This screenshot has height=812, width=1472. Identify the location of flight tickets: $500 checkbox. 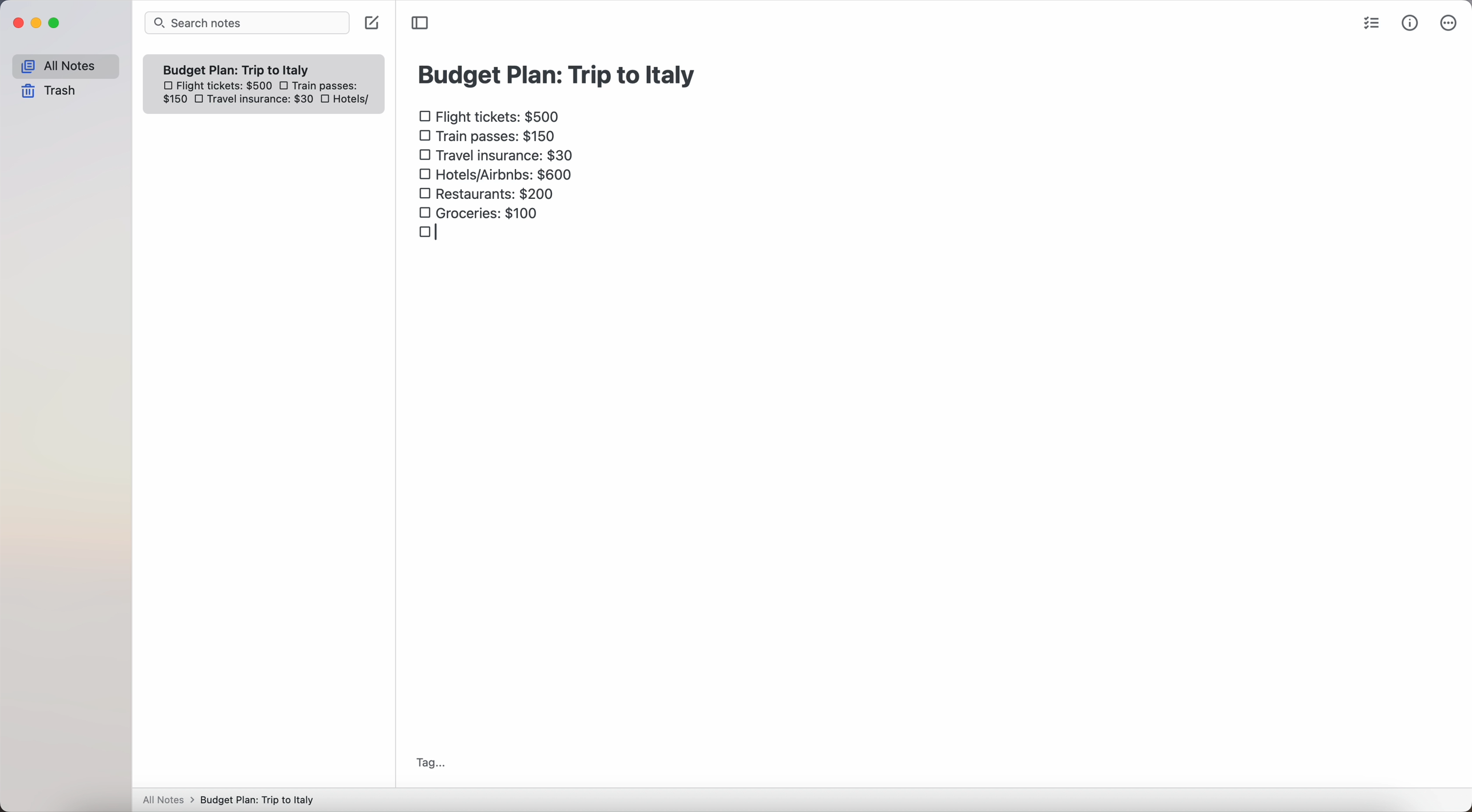
(493, 118).